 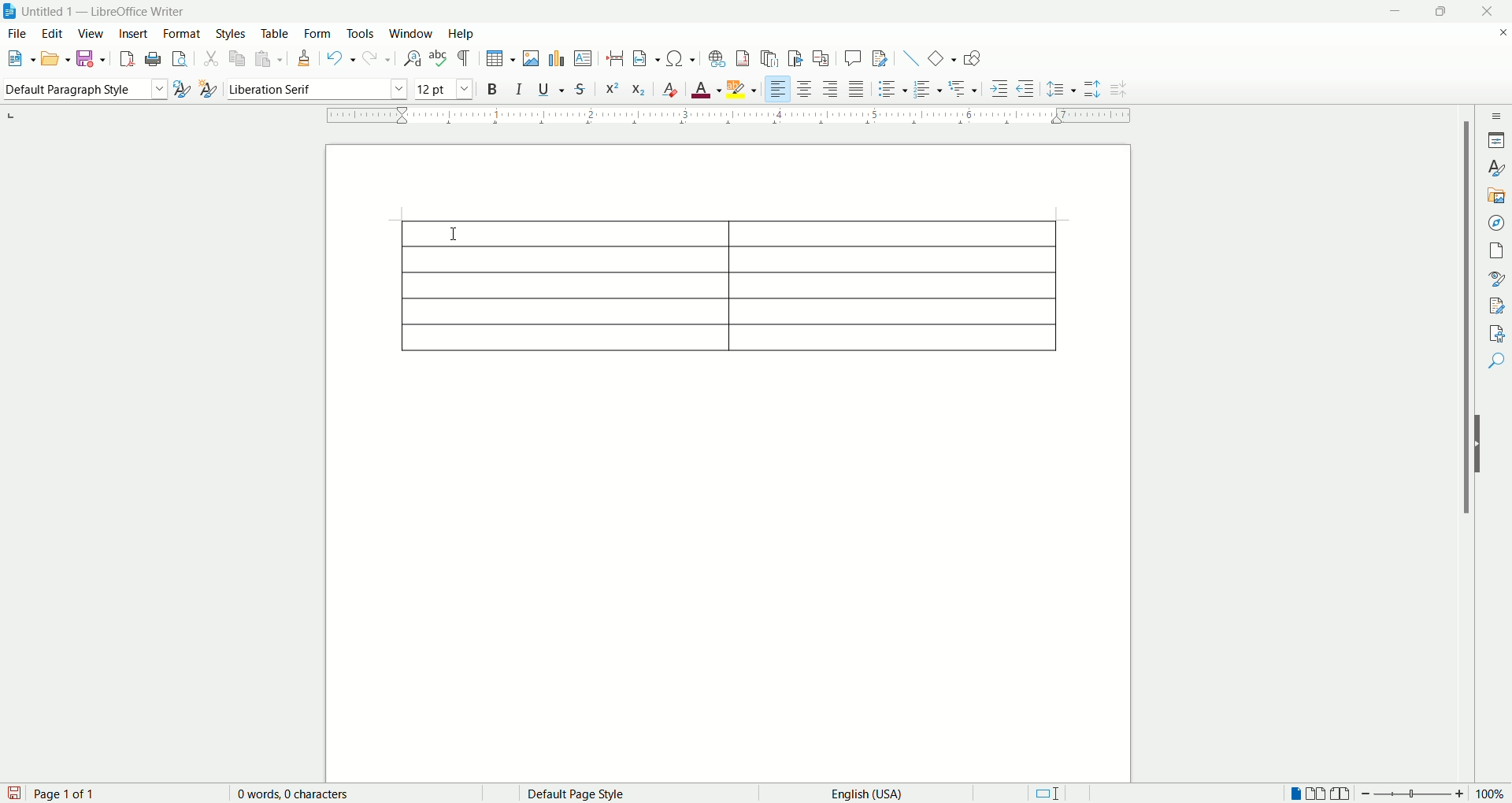 What do you see at coordinates (715, 57) in the screenshot?
I see `insert hyperlink` at bounding box center [715, 57].